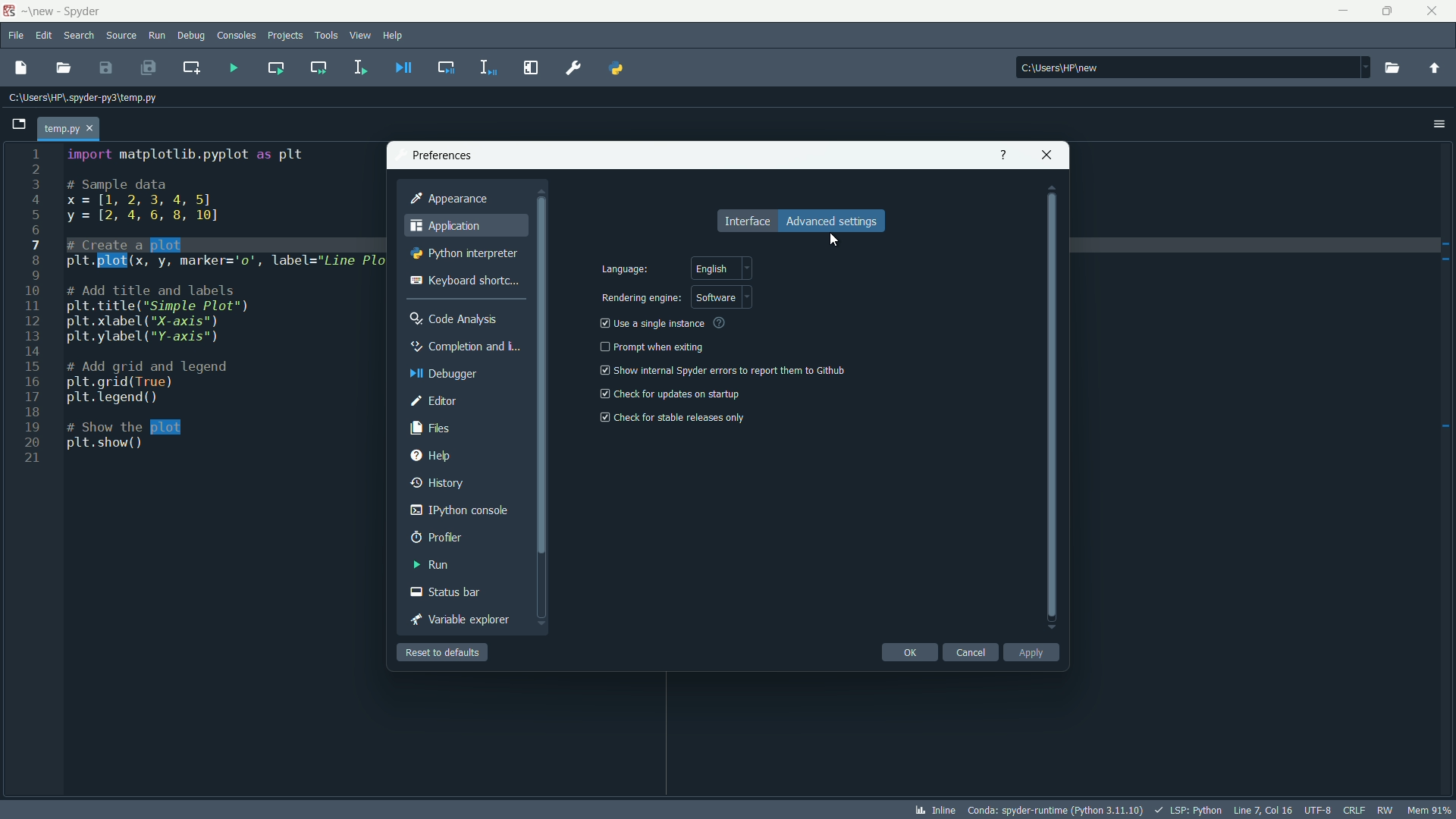 The image size is (1456, 819). I want to click on edit, so click(44, 36).